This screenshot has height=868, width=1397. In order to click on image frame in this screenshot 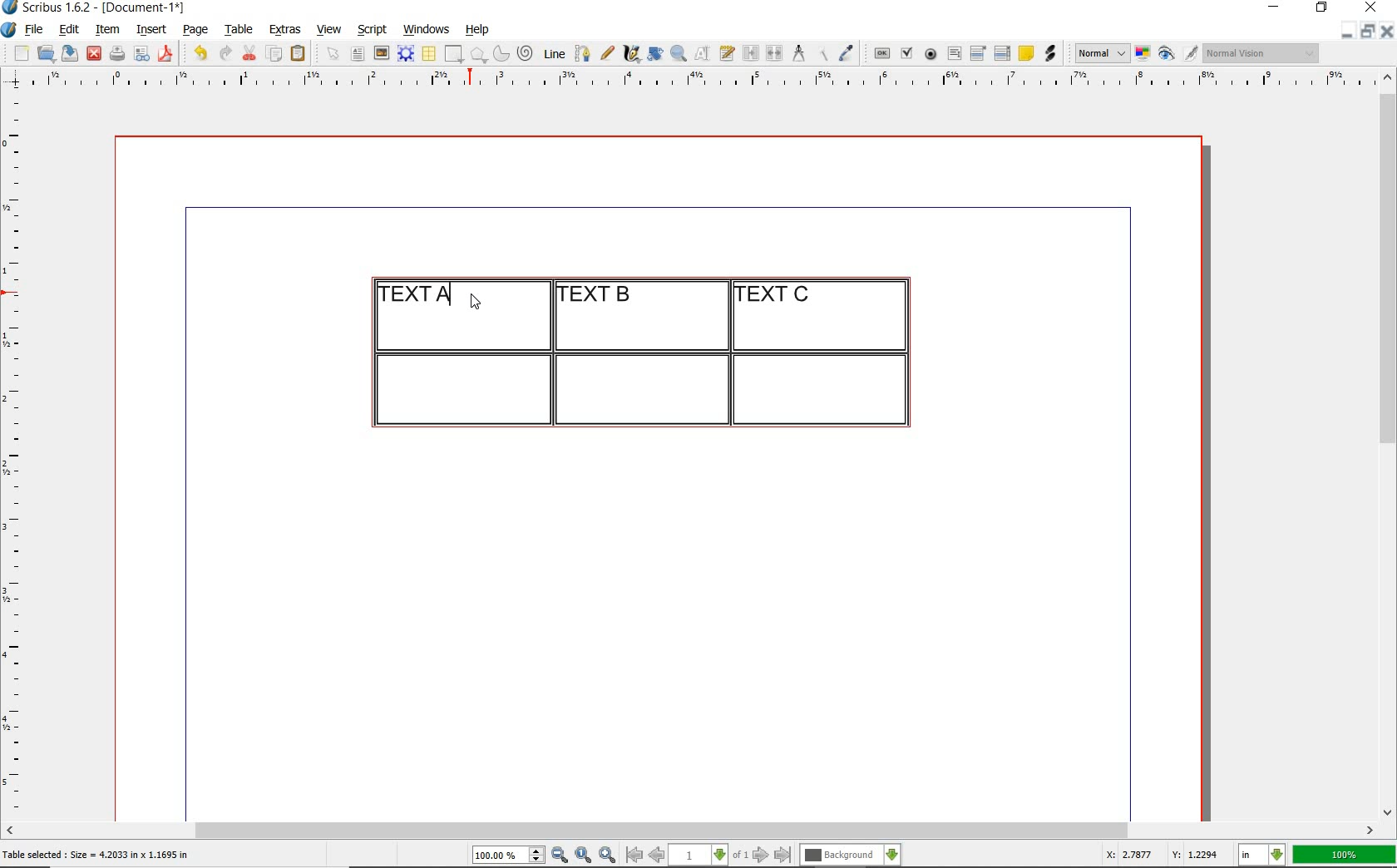, I will do `click(383, 53)`.